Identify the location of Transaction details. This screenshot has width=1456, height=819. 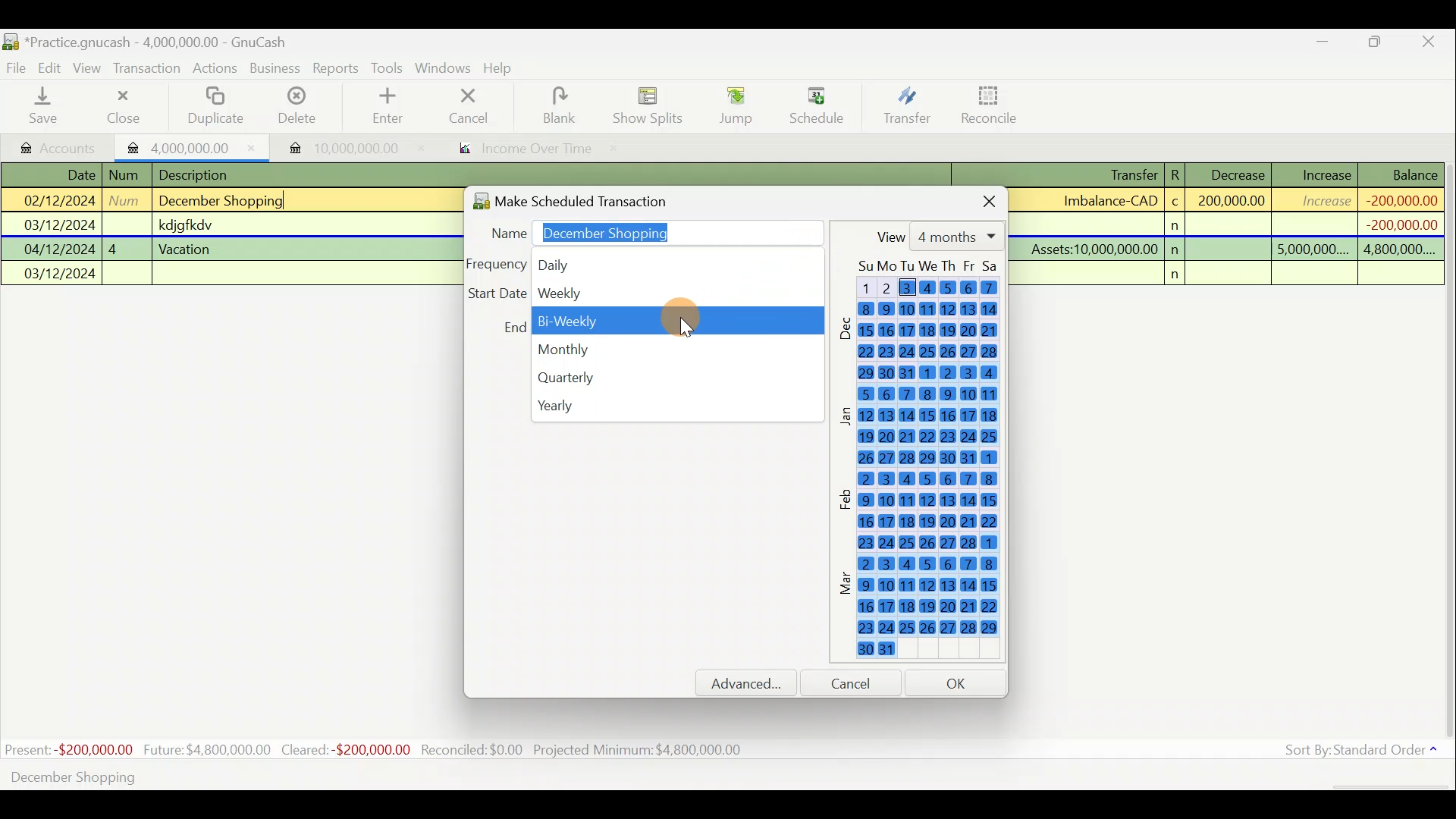
(1235, 224).